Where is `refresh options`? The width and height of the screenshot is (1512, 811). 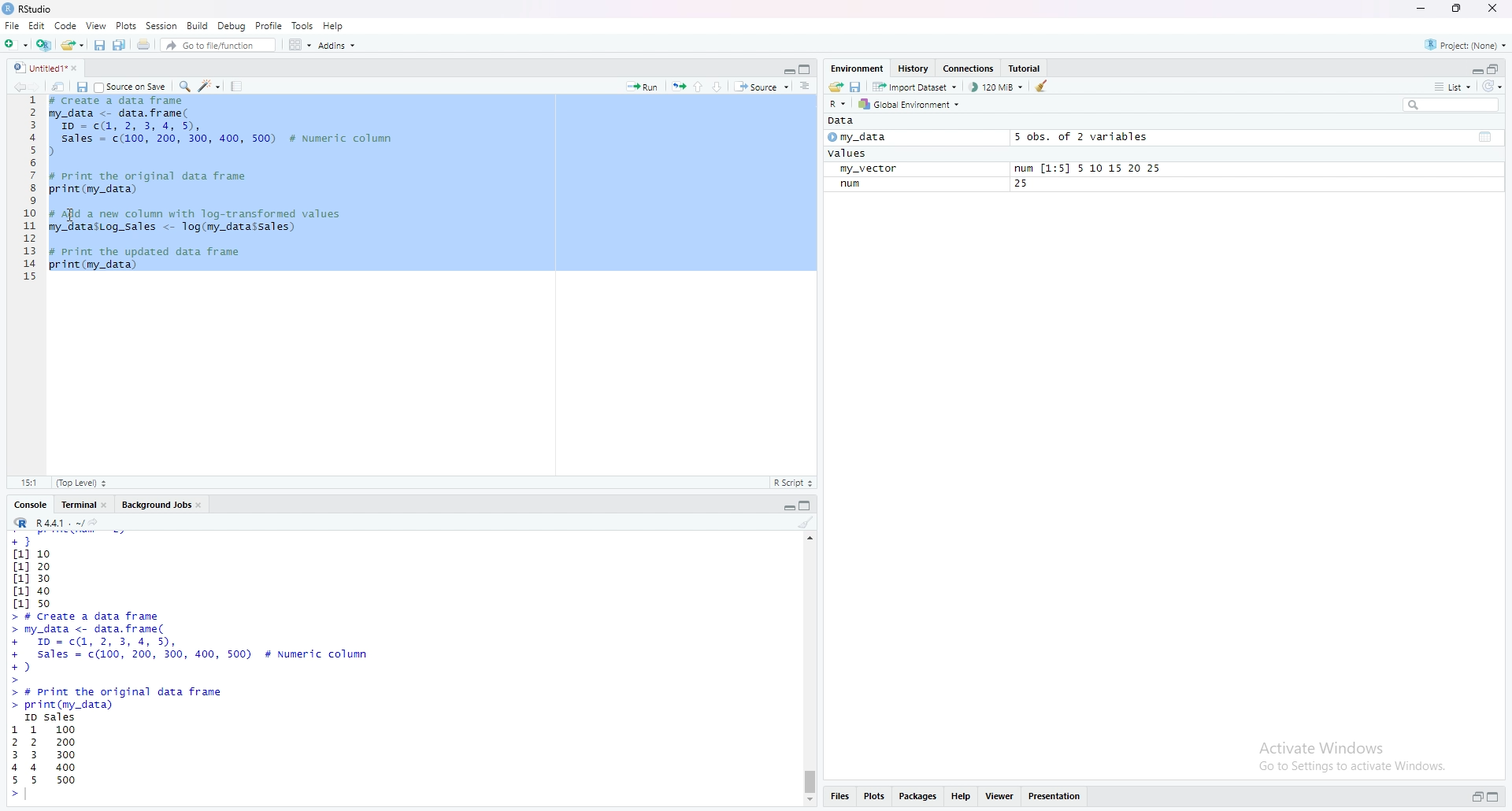 refresh options is located at coordinates (1495, 89).